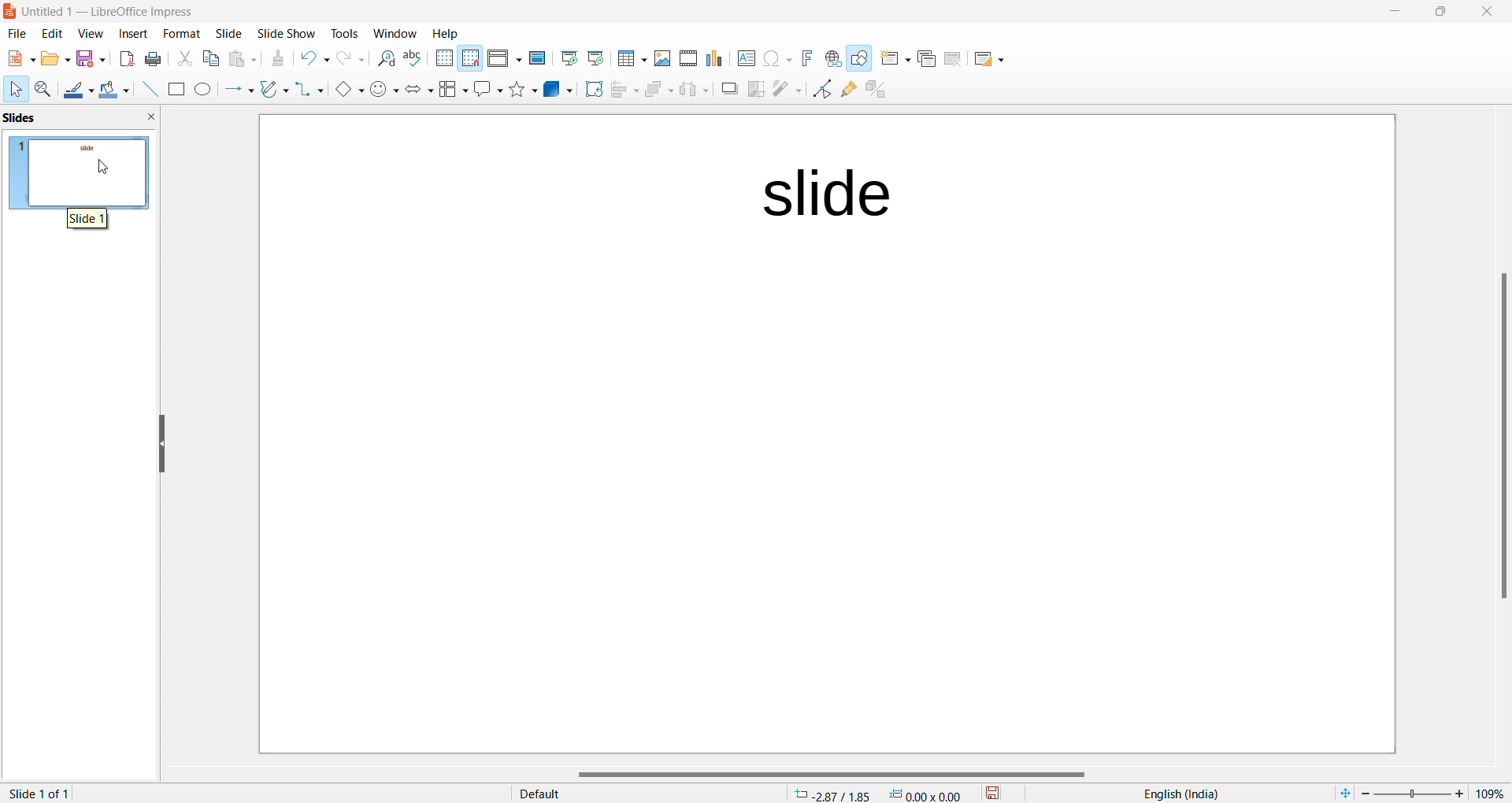 This screenshot has width=1512, height=803. What do you see at coordinates (315, 56) in the screenshot?
I see `Undo` at bounding box center [315, 56].